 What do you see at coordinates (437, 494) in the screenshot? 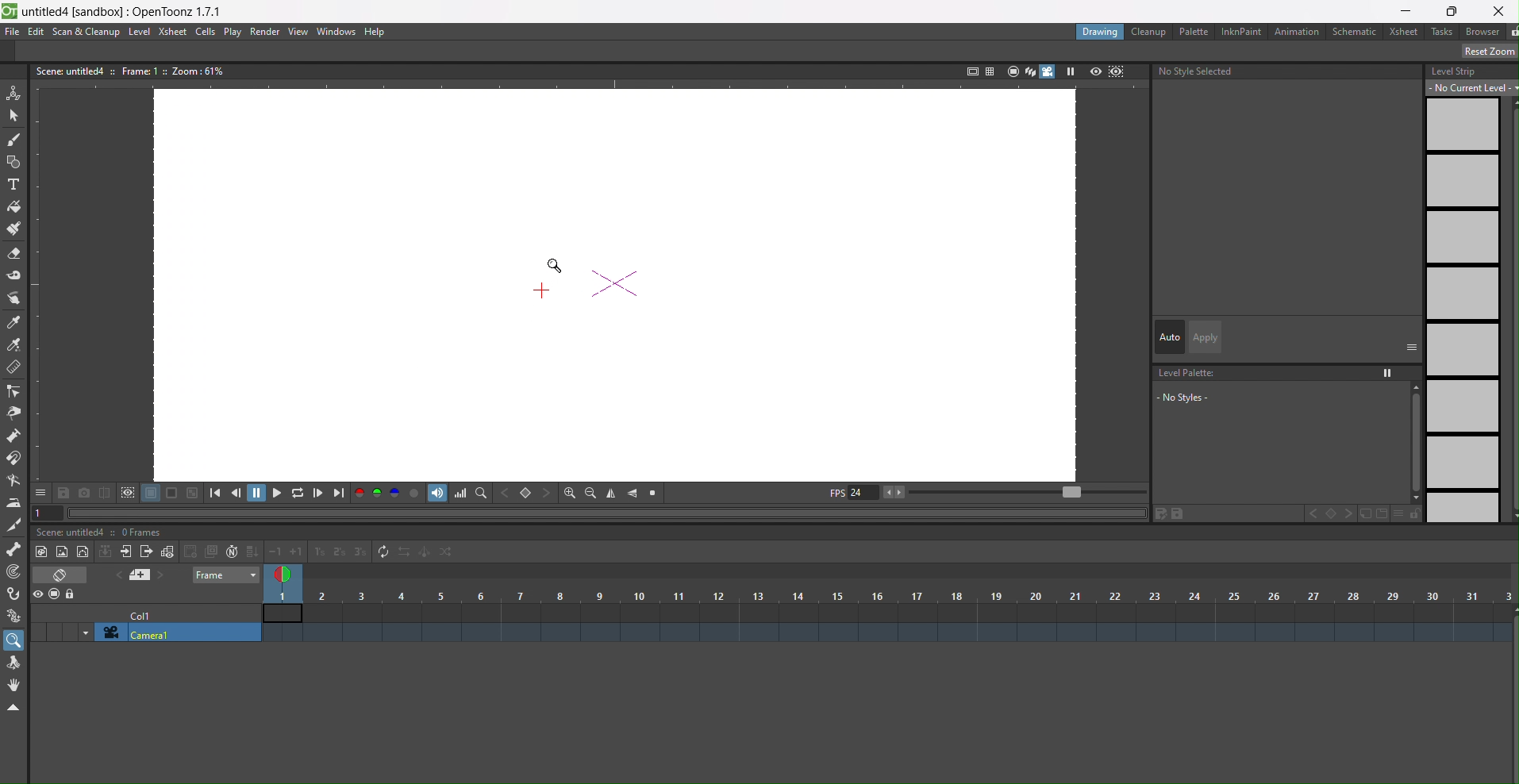
I see `audio` at bounding box center [437, 494].